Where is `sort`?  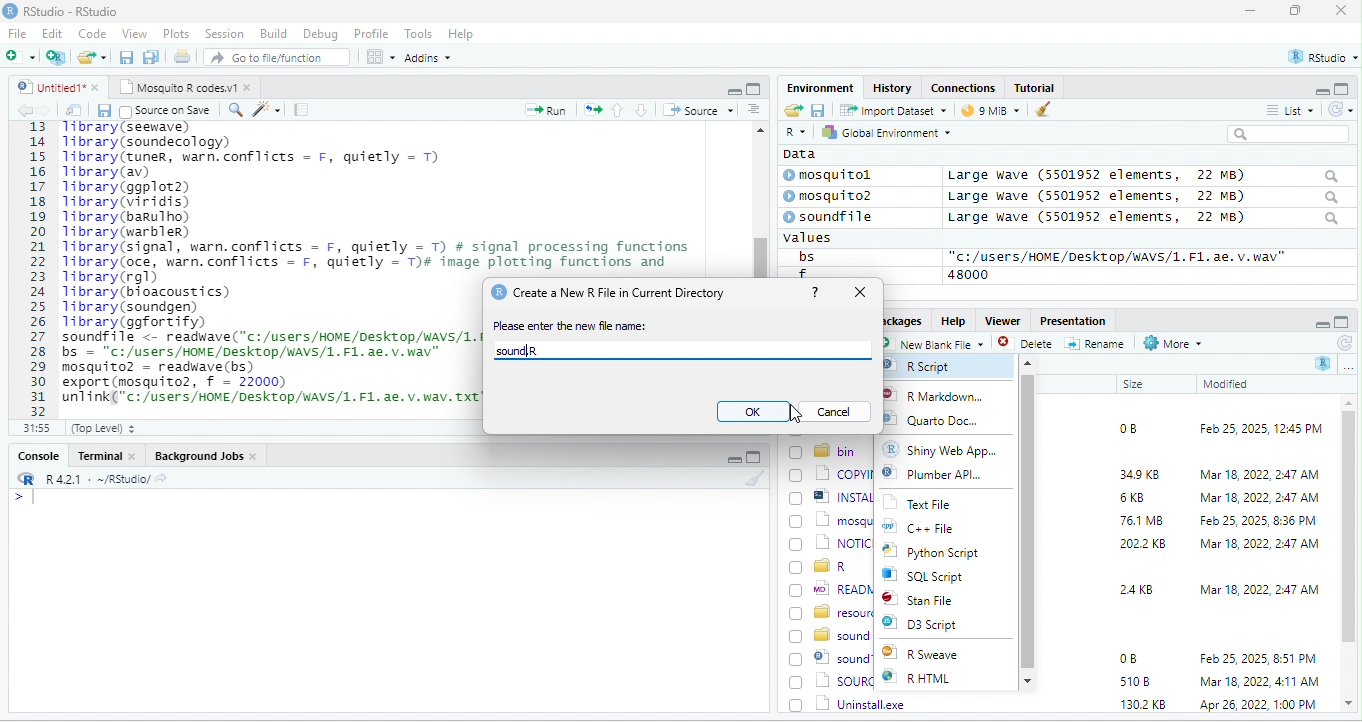 sort is located at coordinates (753, 108).